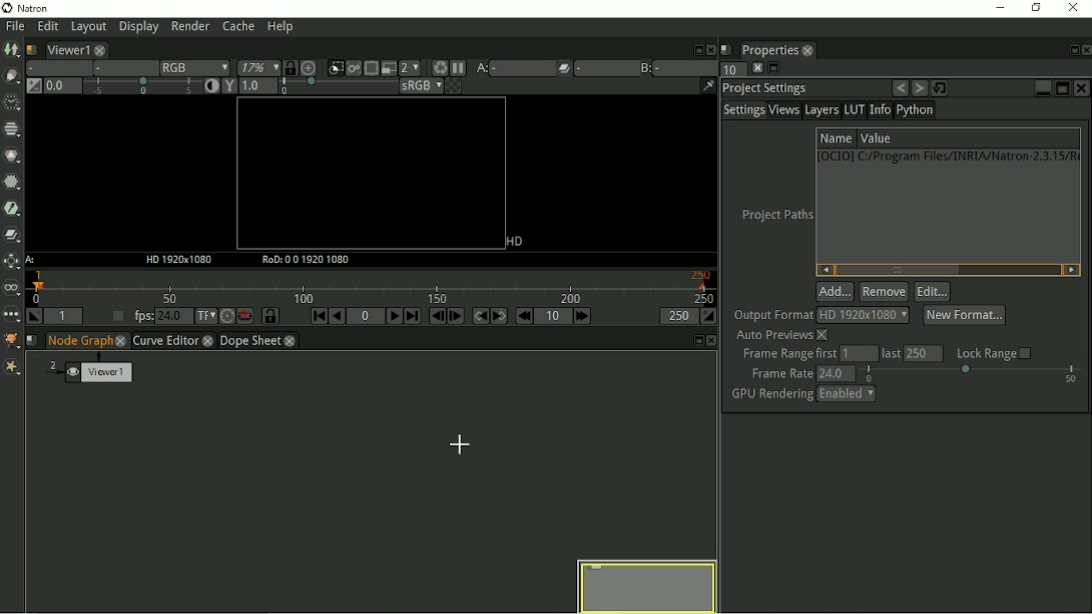 The height and width of the screenshot is (614, 1092). I want to click on Viewer input B, so click(644, 67).